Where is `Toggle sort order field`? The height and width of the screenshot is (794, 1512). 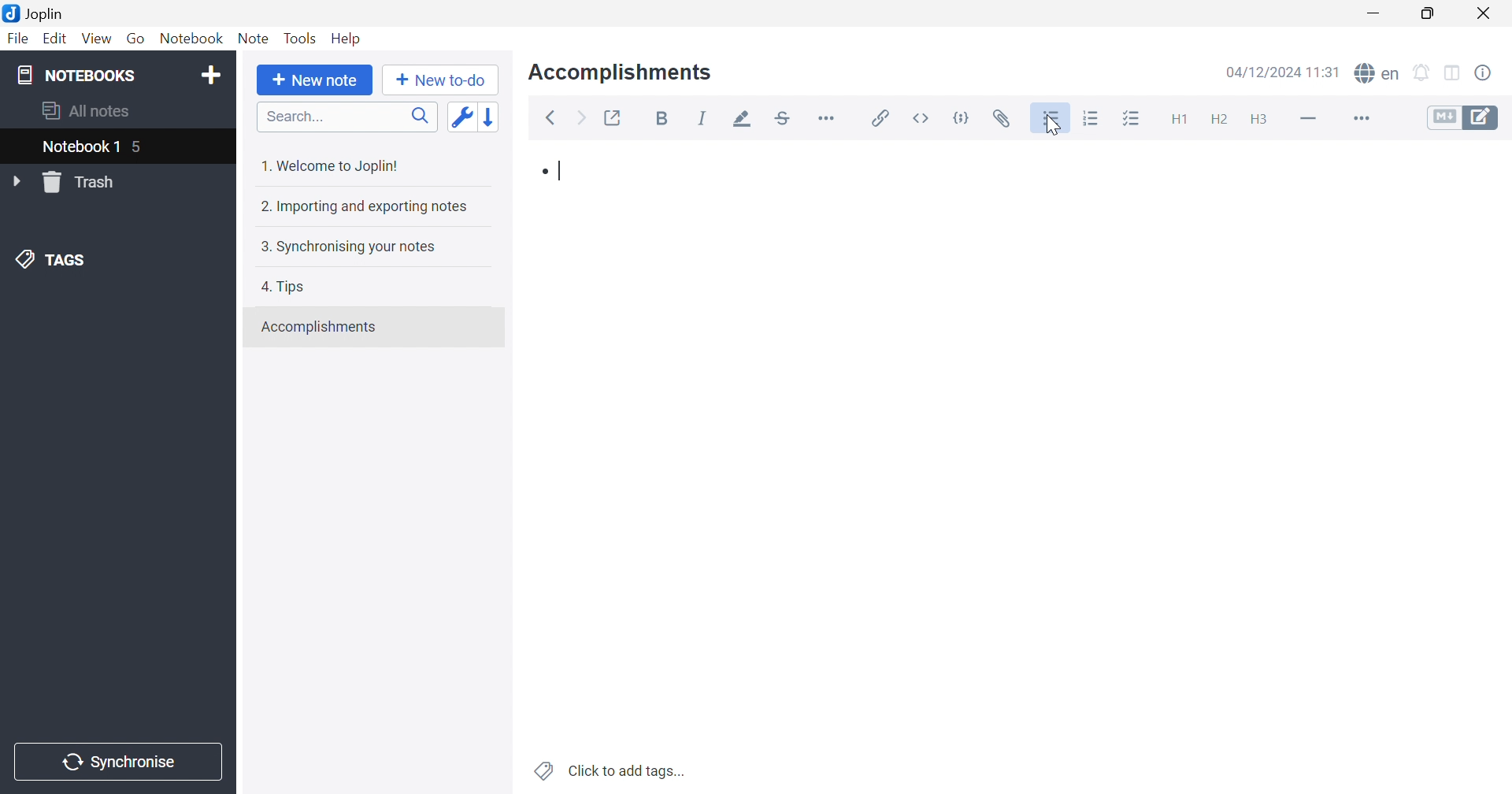 Toggle sort order field is located at coordinates (459, 117).